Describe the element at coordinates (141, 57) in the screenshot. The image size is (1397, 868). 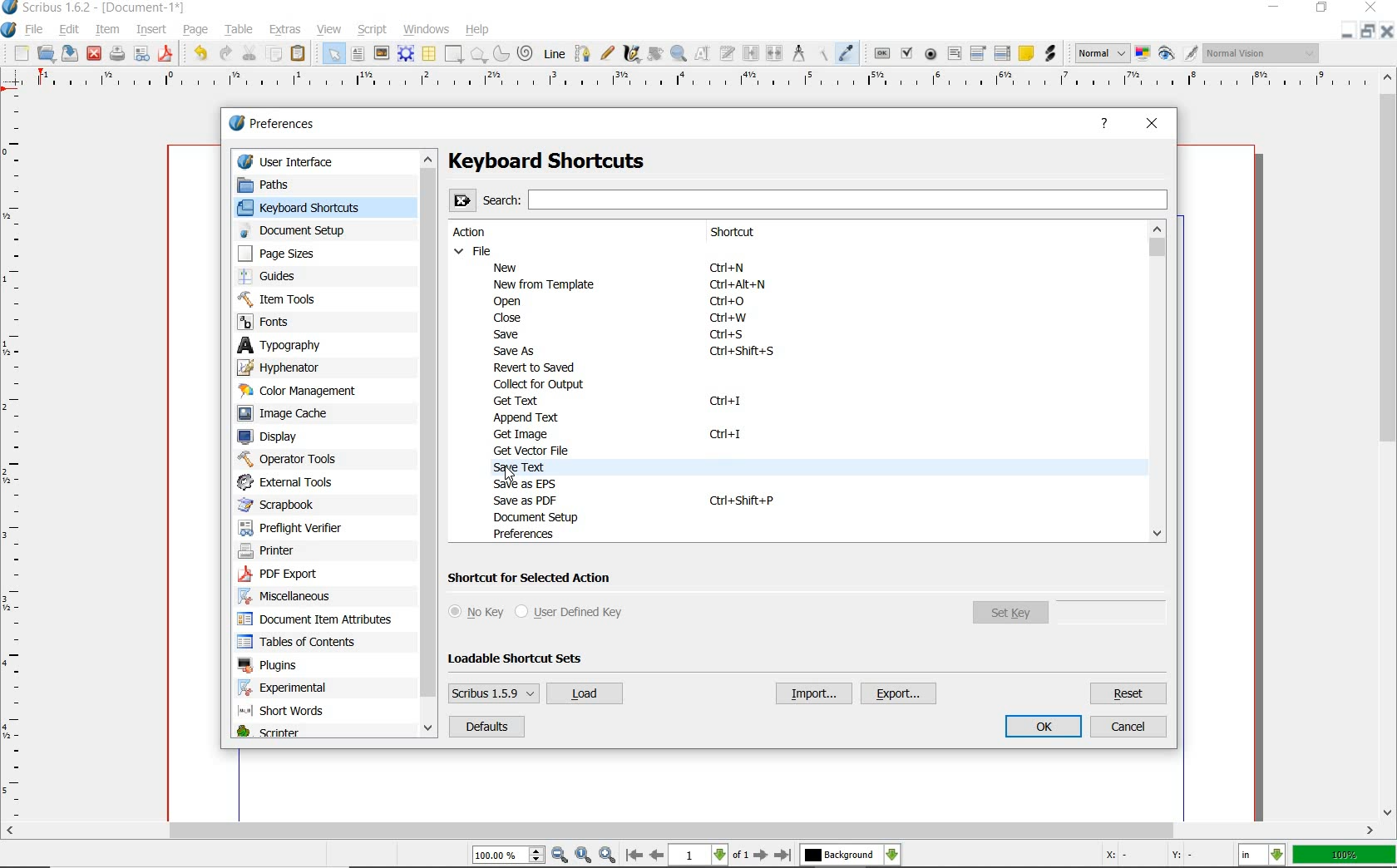
I see `` at that location.